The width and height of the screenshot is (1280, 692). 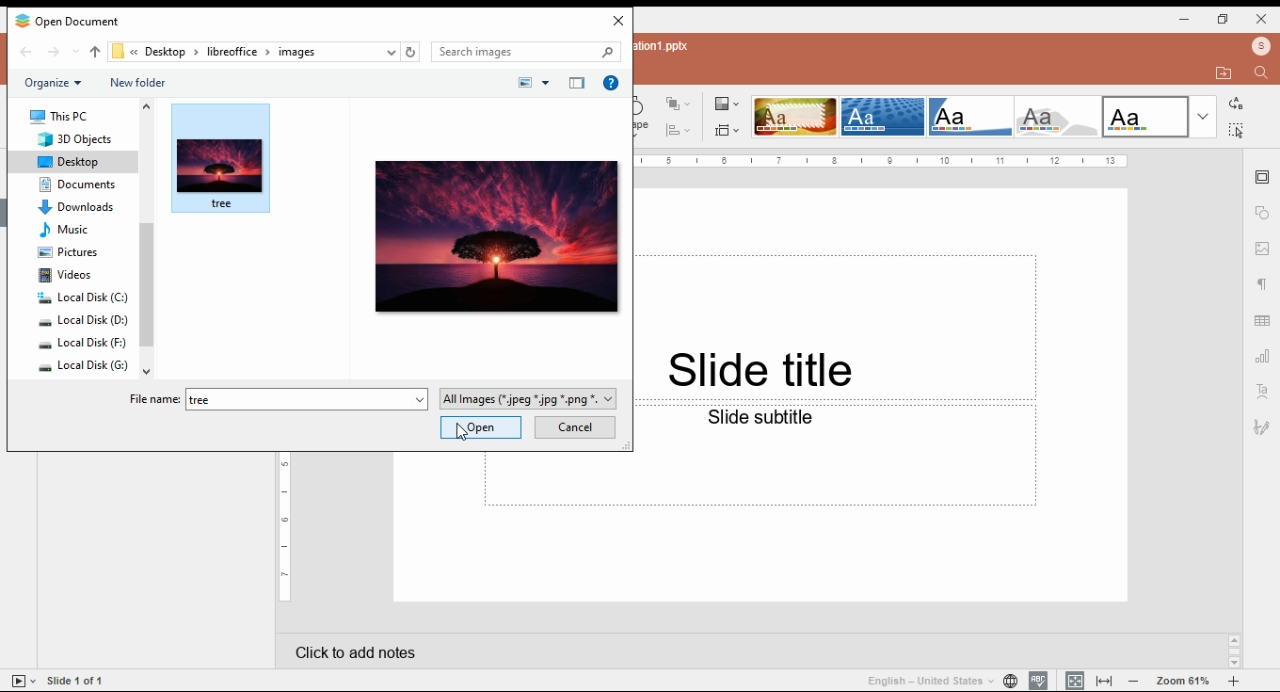 What do you see at coordinates (1261, 284) in the screenshot?
I see `paragraph settings` at bounding box center [1261, 284].